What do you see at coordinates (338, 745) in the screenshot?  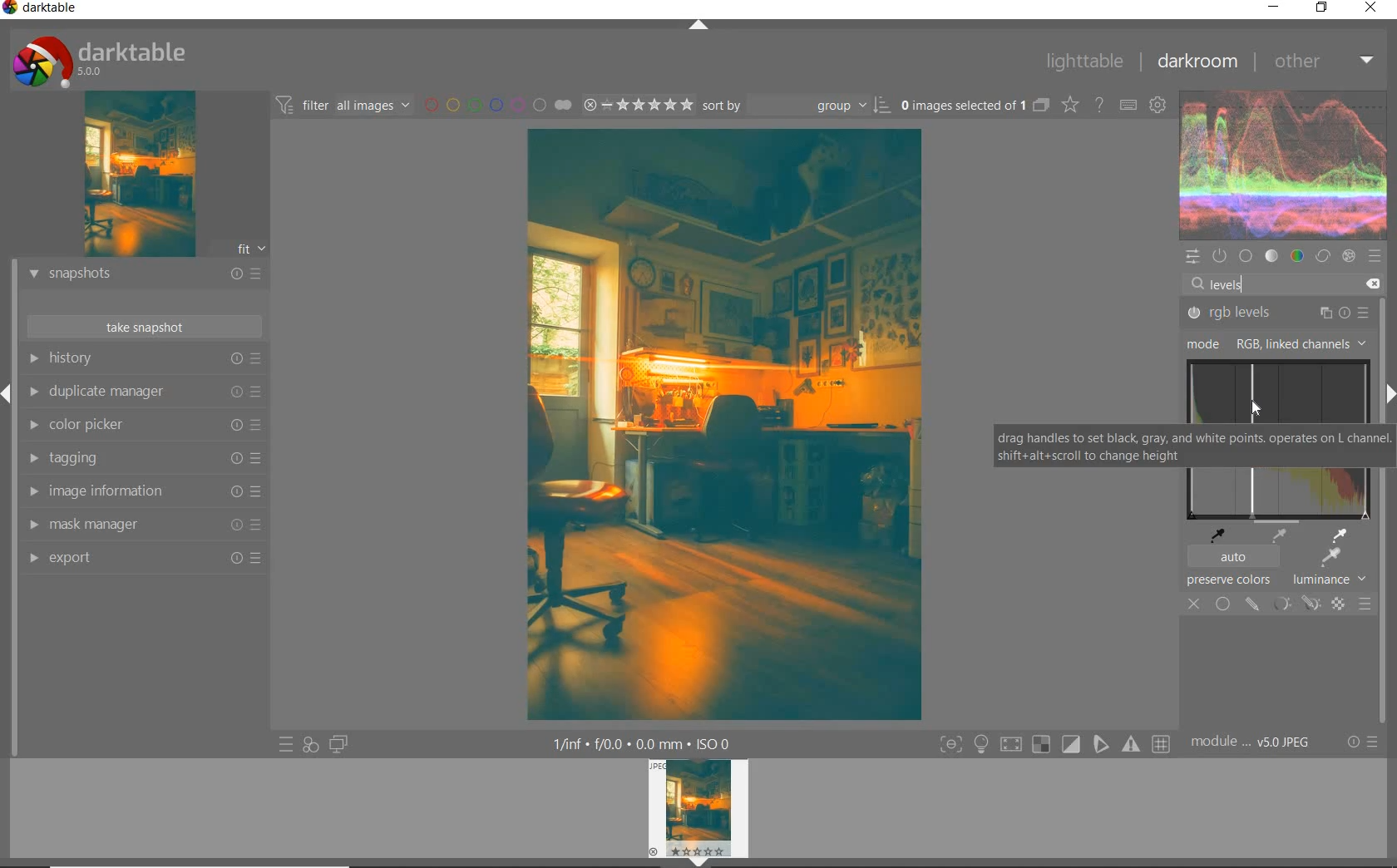 I see `display a second darkroom image below` at bounding box center [338, 745].